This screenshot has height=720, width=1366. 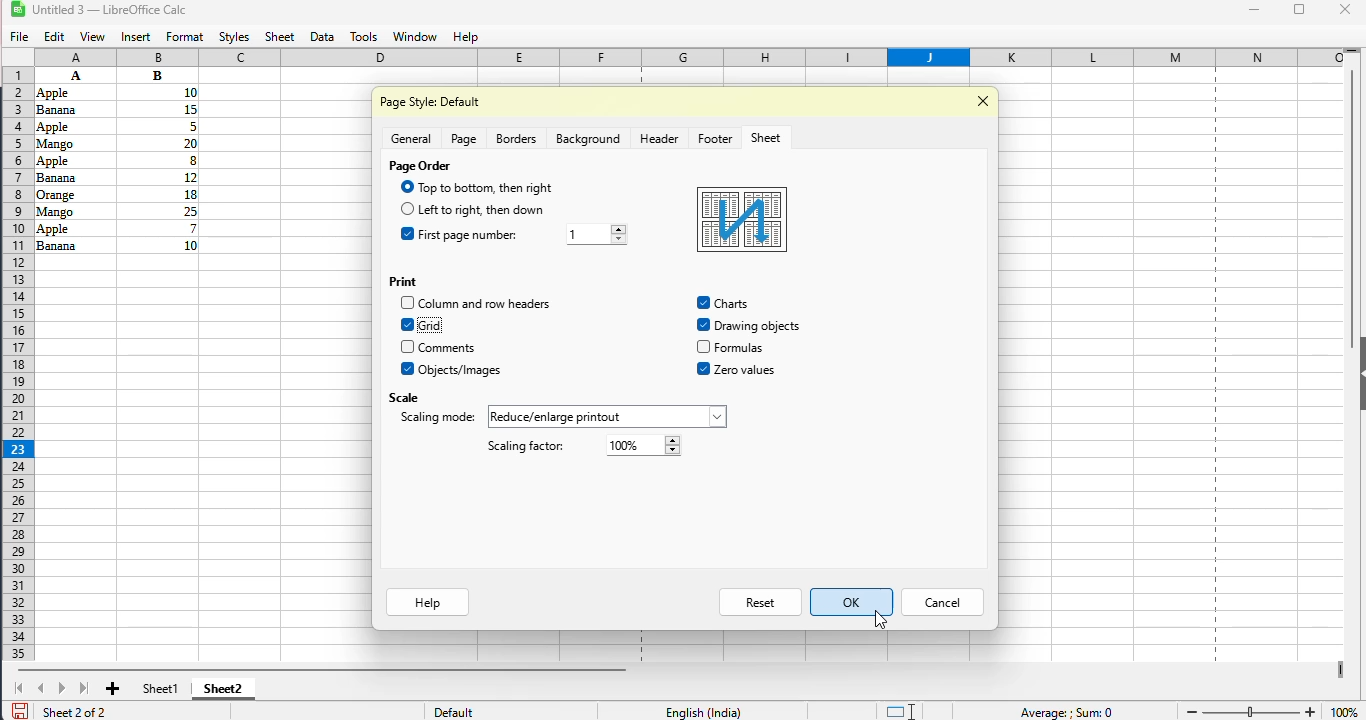 What do you see at coordinates (159, 211) in the screenshot?
I see `` at bounding box center [159, 211].